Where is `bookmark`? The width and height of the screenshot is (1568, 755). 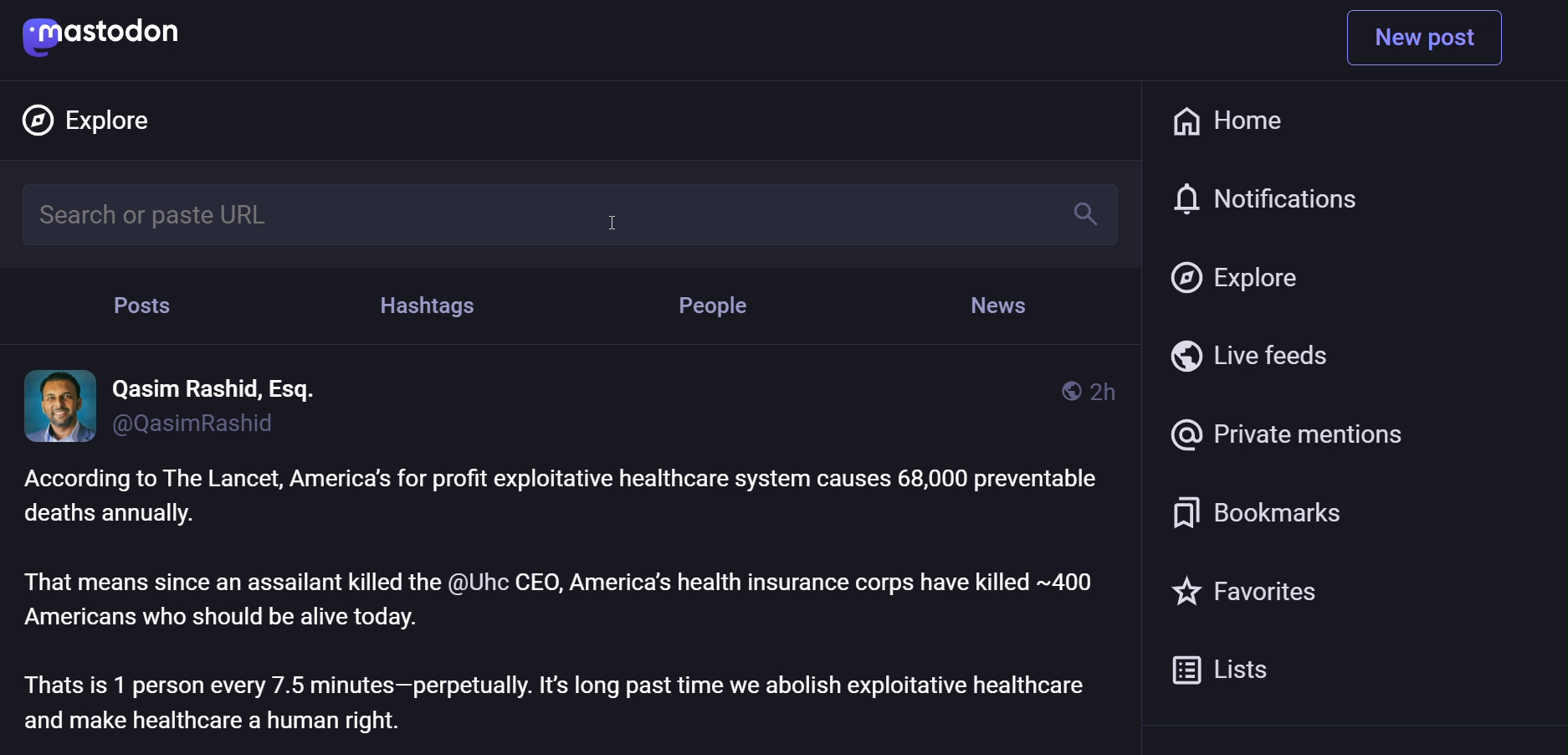
bookmark is located at coordinates (1251, 511).